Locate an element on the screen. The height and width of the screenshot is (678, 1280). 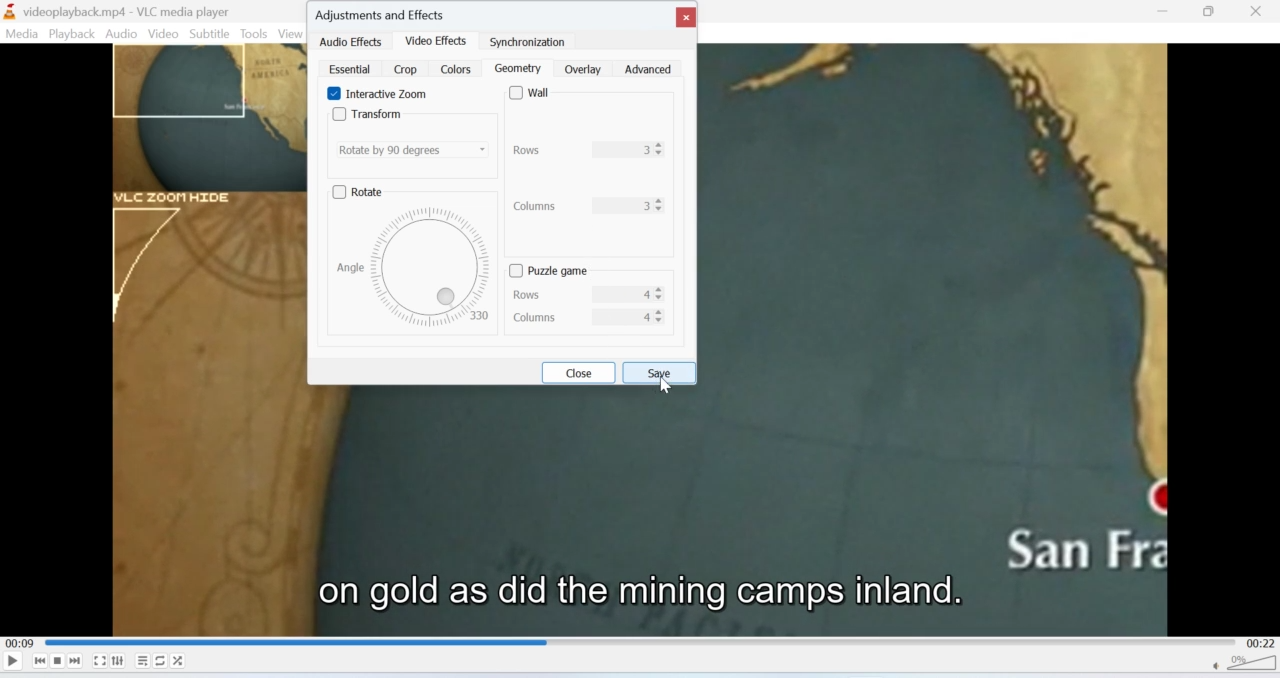
colors is located at coordinates (455, 69).